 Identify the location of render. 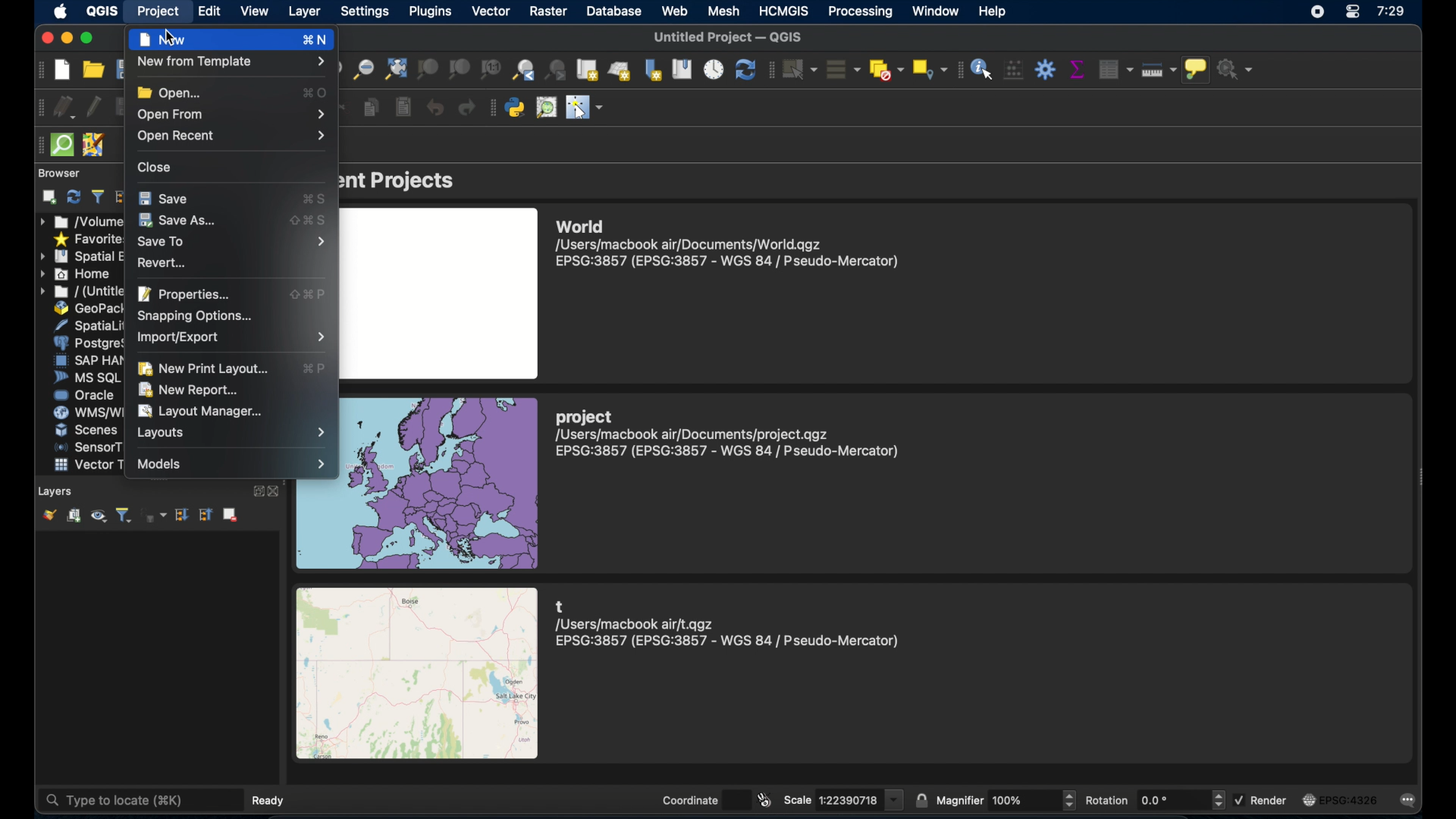
(1271, 801).